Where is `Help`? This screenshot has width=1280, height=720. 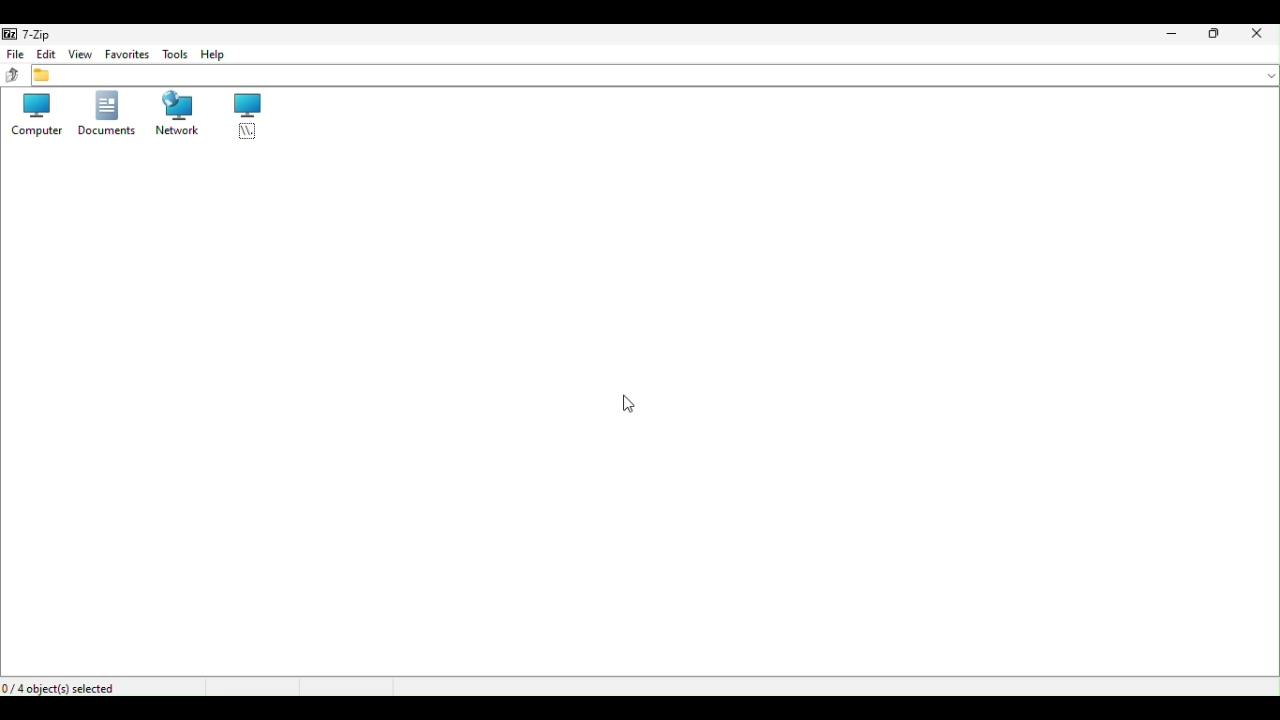
Help is located at coordinates (217, 53).